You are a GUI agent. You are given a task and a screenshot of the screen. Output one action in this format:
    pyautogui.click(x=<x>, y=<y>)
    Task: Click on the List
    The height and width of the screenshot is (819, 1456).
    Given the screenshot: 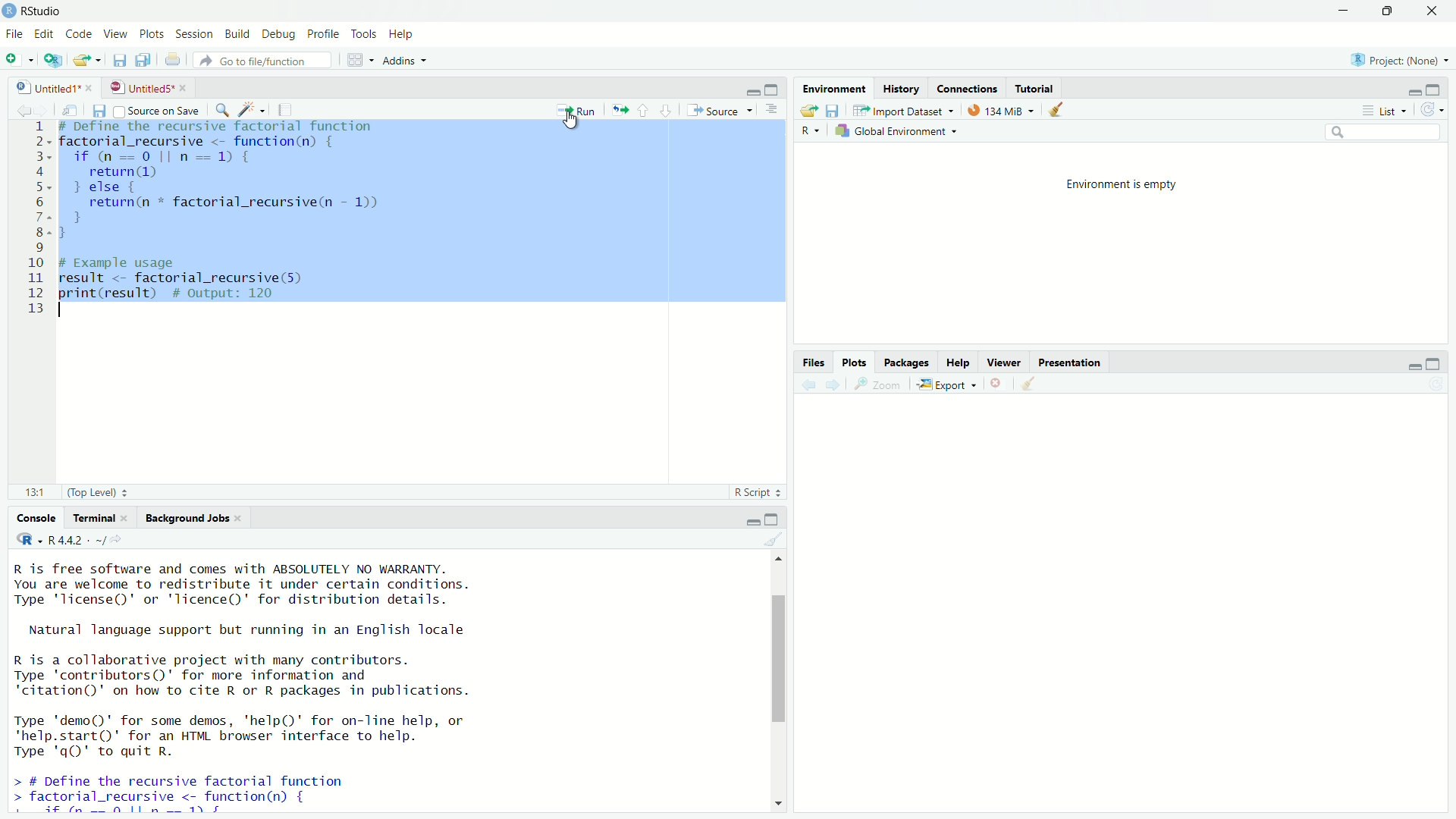 What is the action you would take?
    pyautogui.click(x=1383, y=110)
    